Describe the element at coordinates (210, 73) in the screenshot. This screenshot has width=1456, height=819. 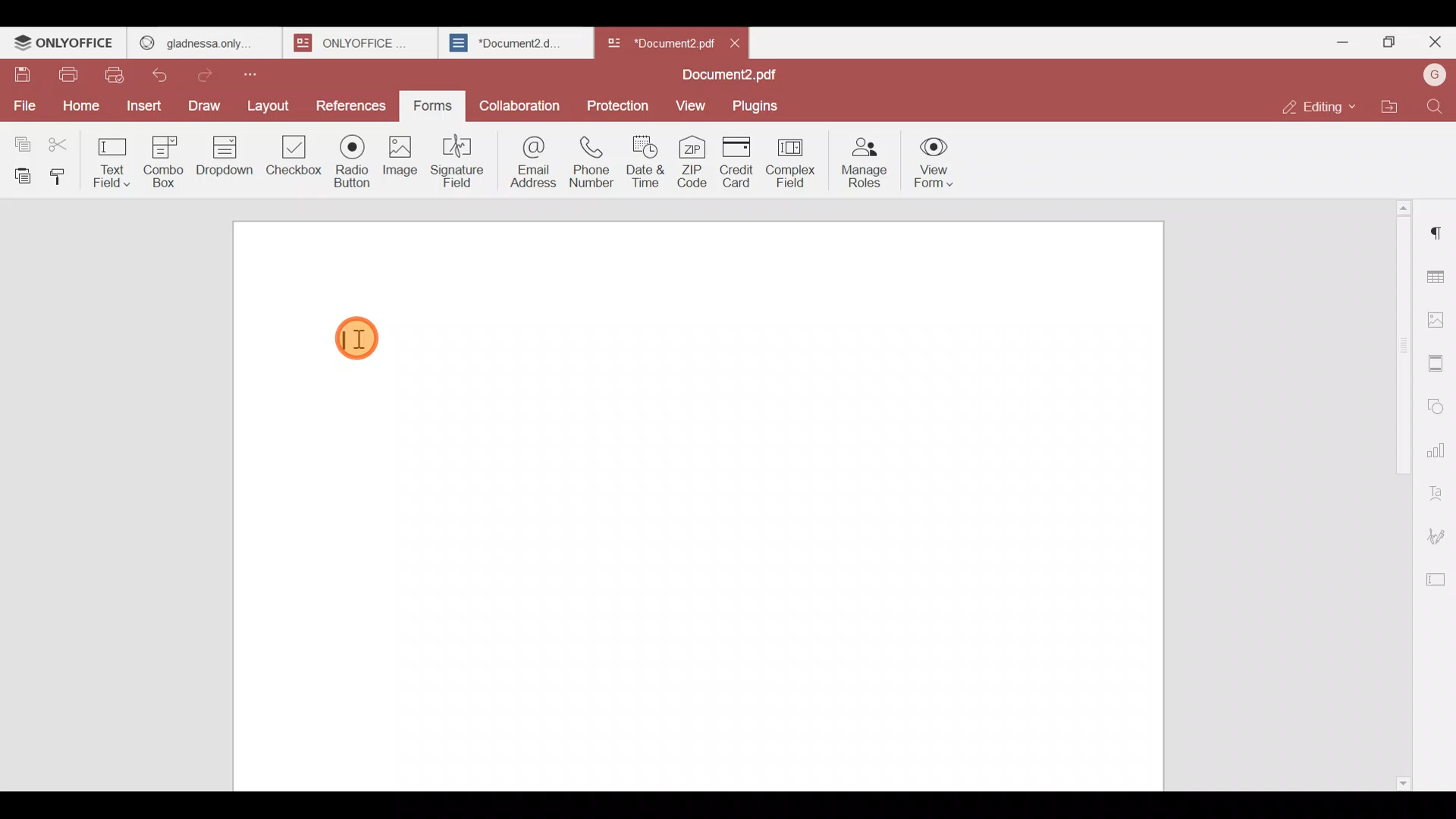
I see `Redo` at that location.